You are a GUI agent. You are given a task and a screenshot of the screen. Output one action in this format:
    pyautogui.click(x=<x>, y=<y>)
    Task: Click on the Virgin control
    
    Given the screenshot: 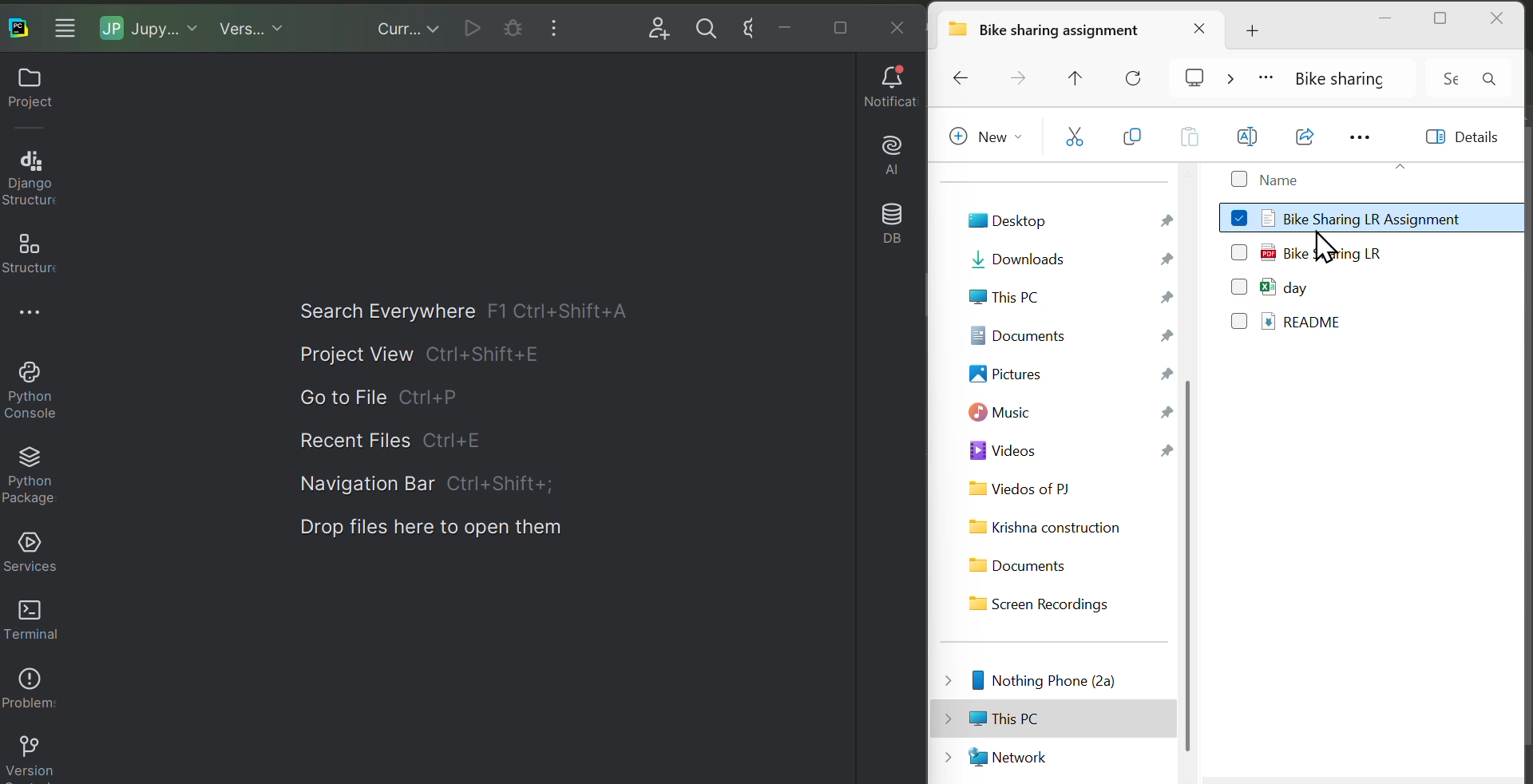 What is the action you would take?
    pyautogui.click(x=252, y=27)
    